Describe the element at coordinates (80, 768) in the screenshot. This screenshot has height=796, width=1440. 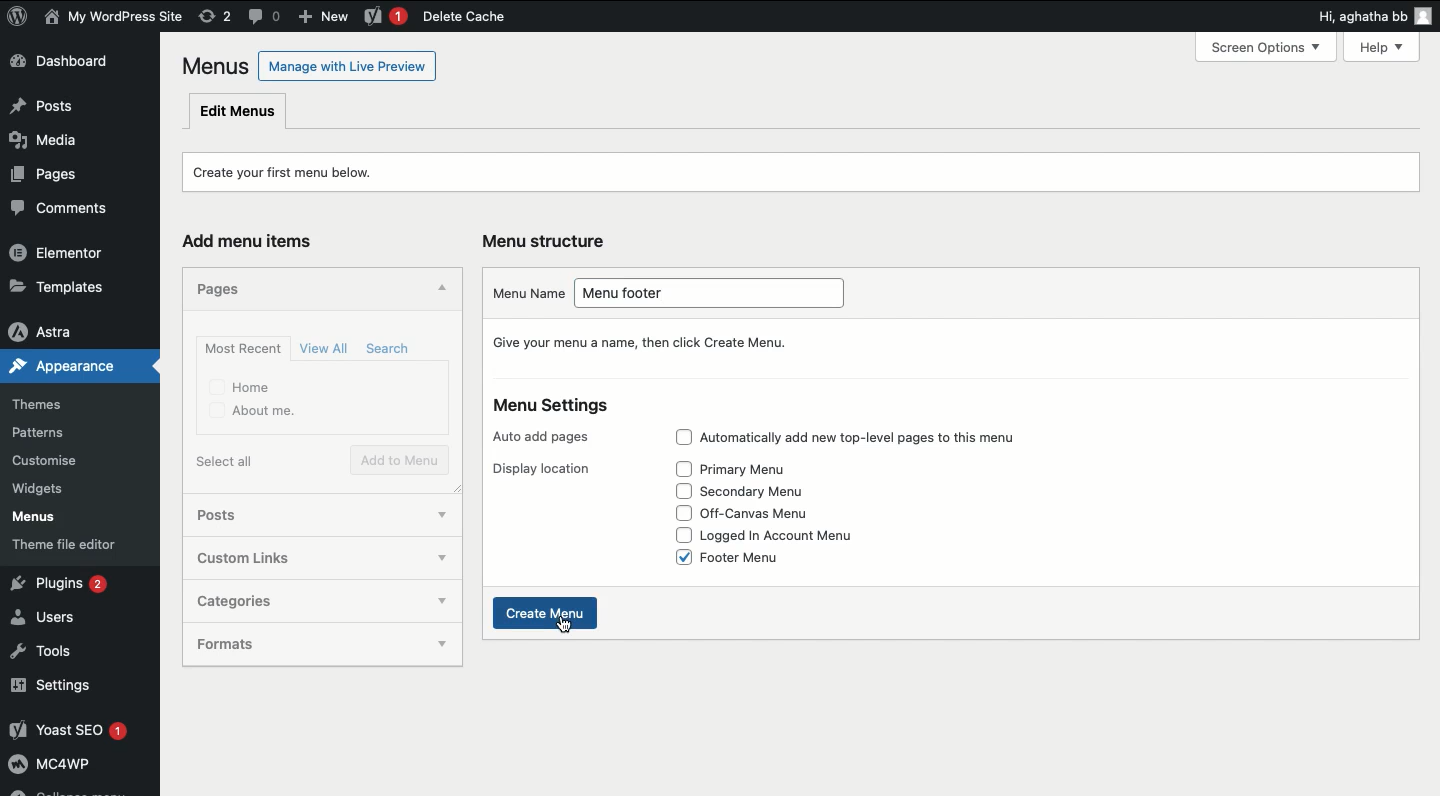
I see `Mcawp` at that location.